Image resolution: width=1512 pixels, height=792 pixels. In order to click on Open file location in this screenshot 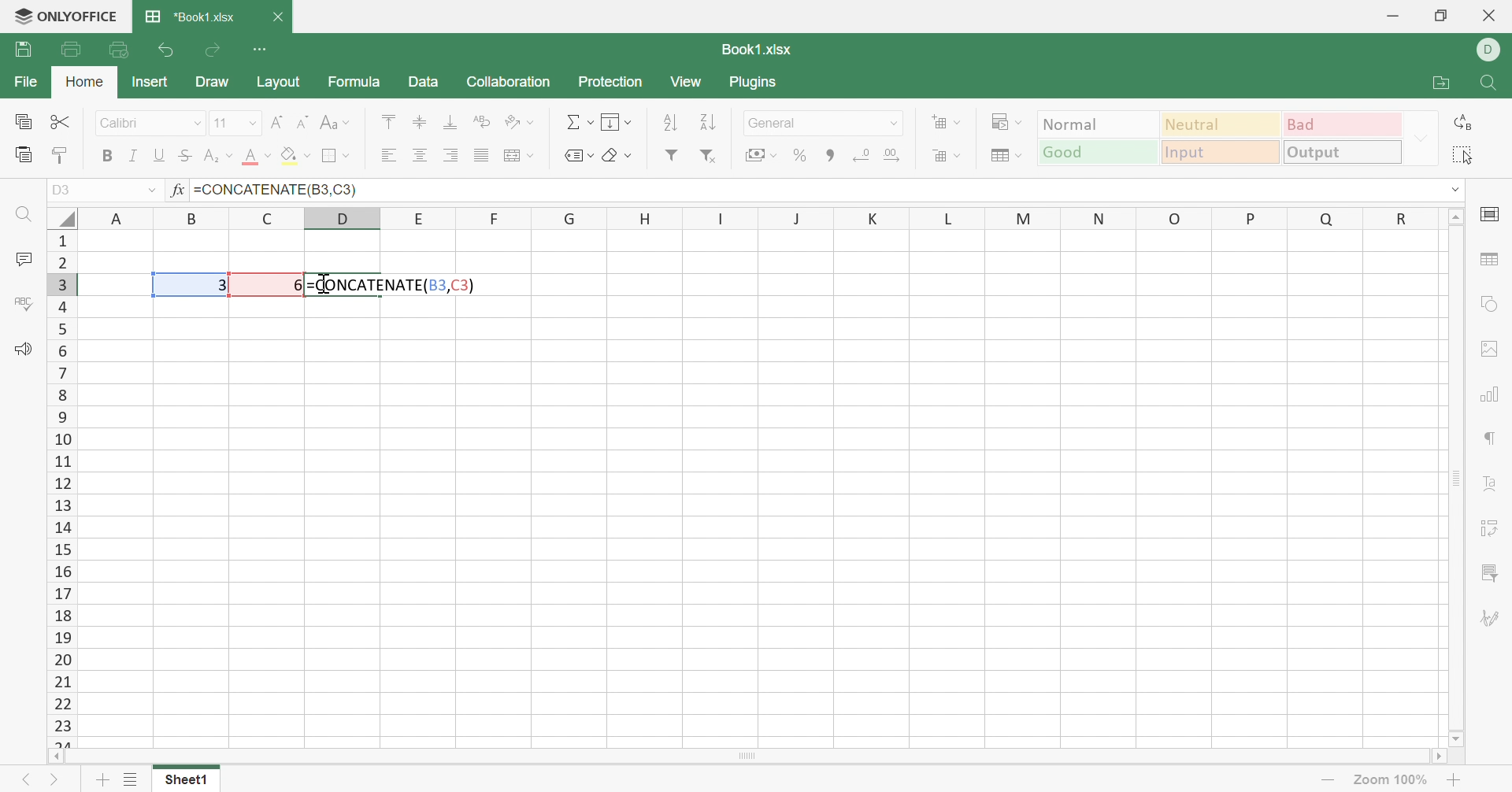, I will do `click(1443, 83)`.